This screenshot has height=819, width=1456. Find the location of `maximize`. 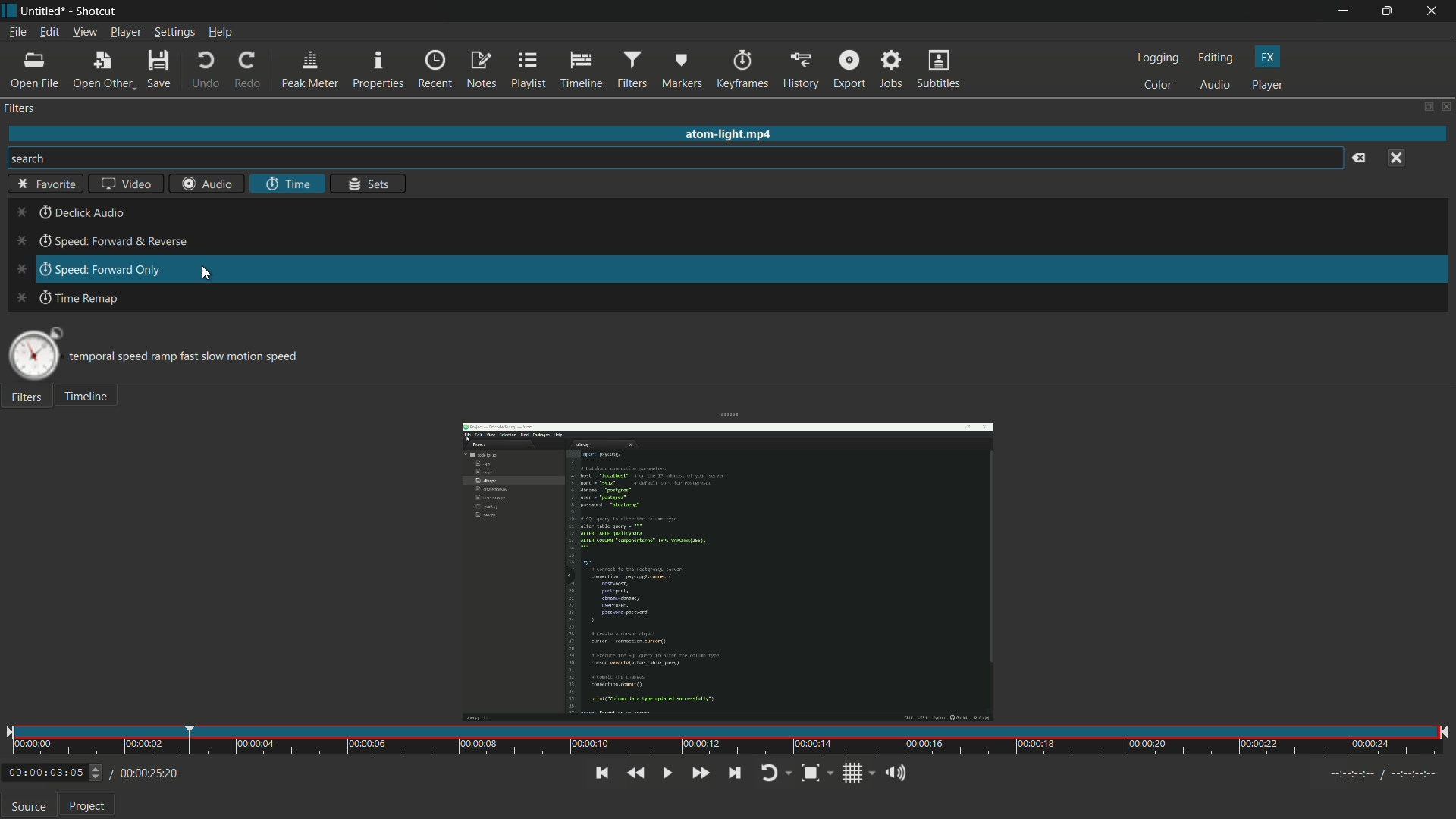

maximize is located at coordinates (1389, 11).